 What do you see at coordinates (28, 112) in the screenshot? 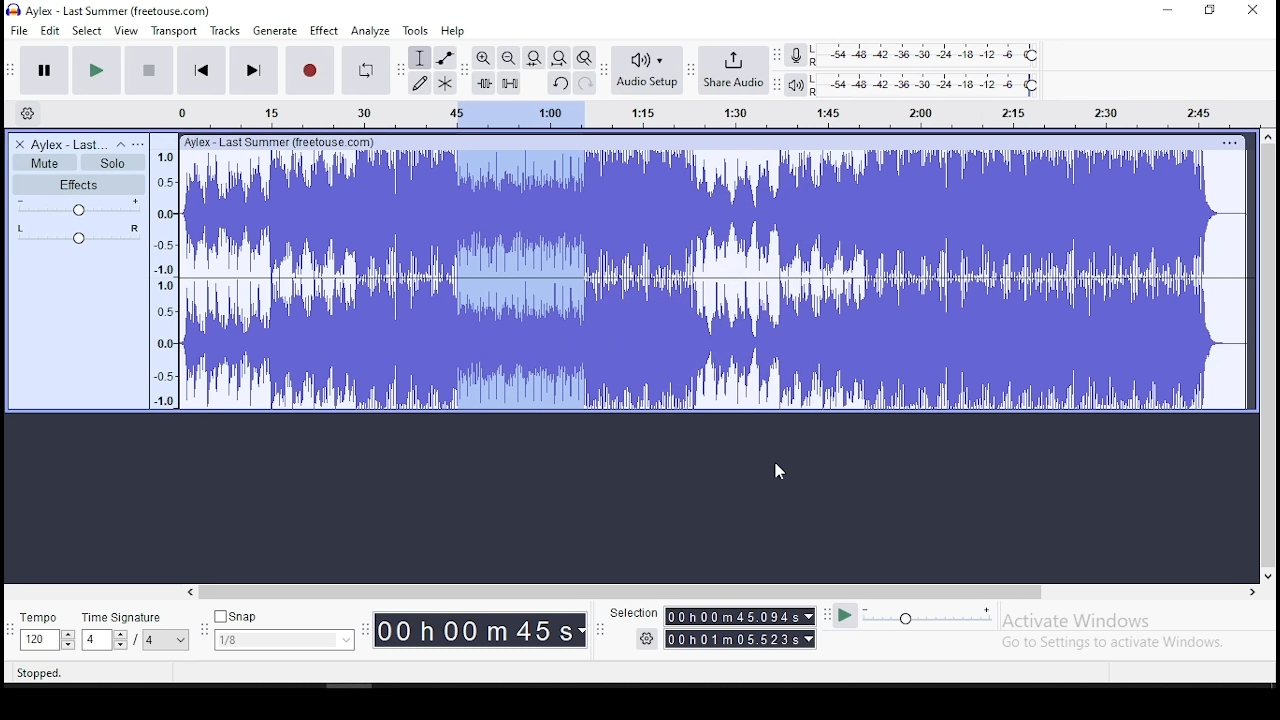
I see `timeline settings` at bounding box center [28, 112].